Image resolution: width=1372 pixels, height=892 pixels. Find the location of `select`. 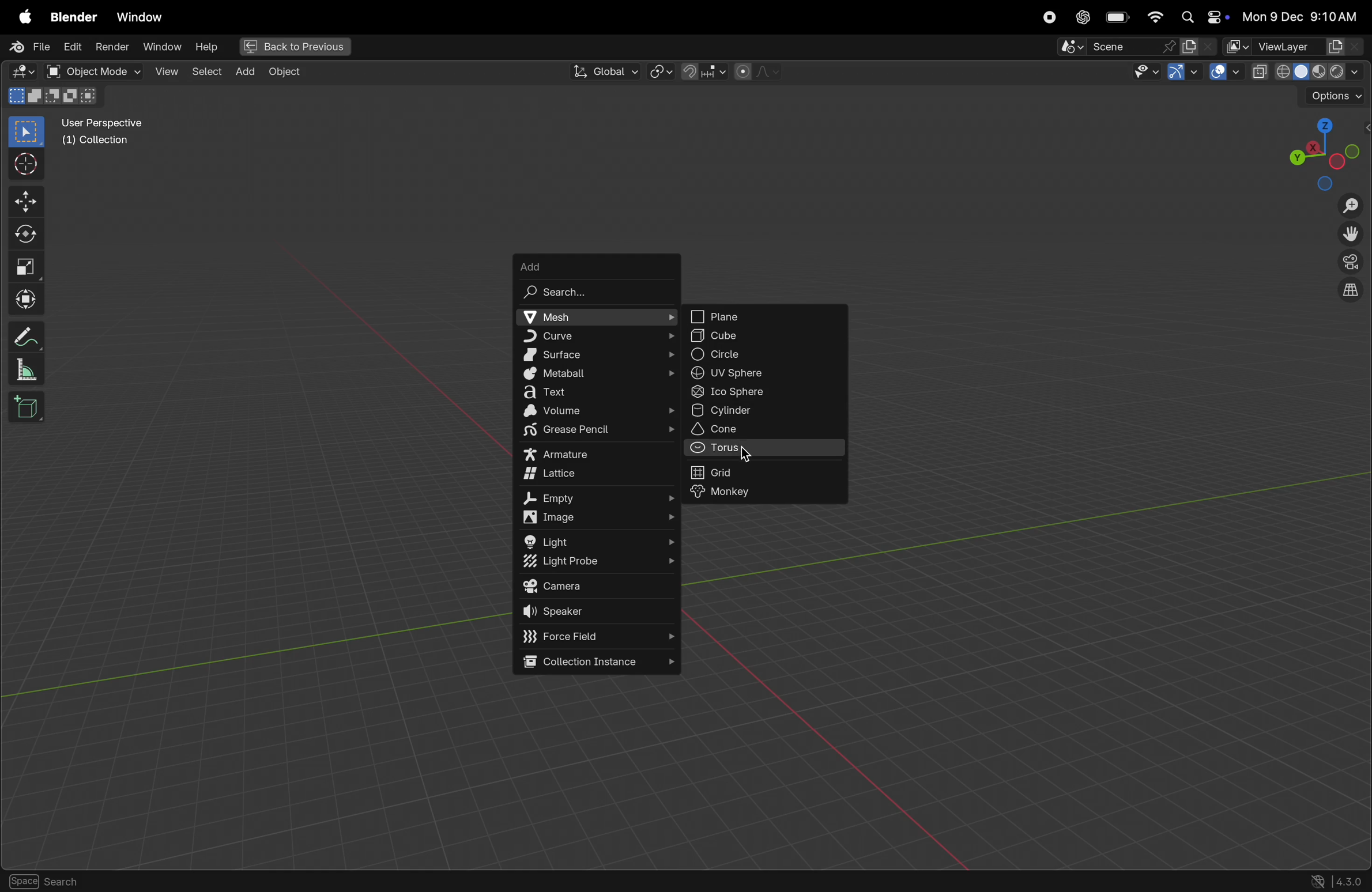

select is located at coordinates (27, 132).